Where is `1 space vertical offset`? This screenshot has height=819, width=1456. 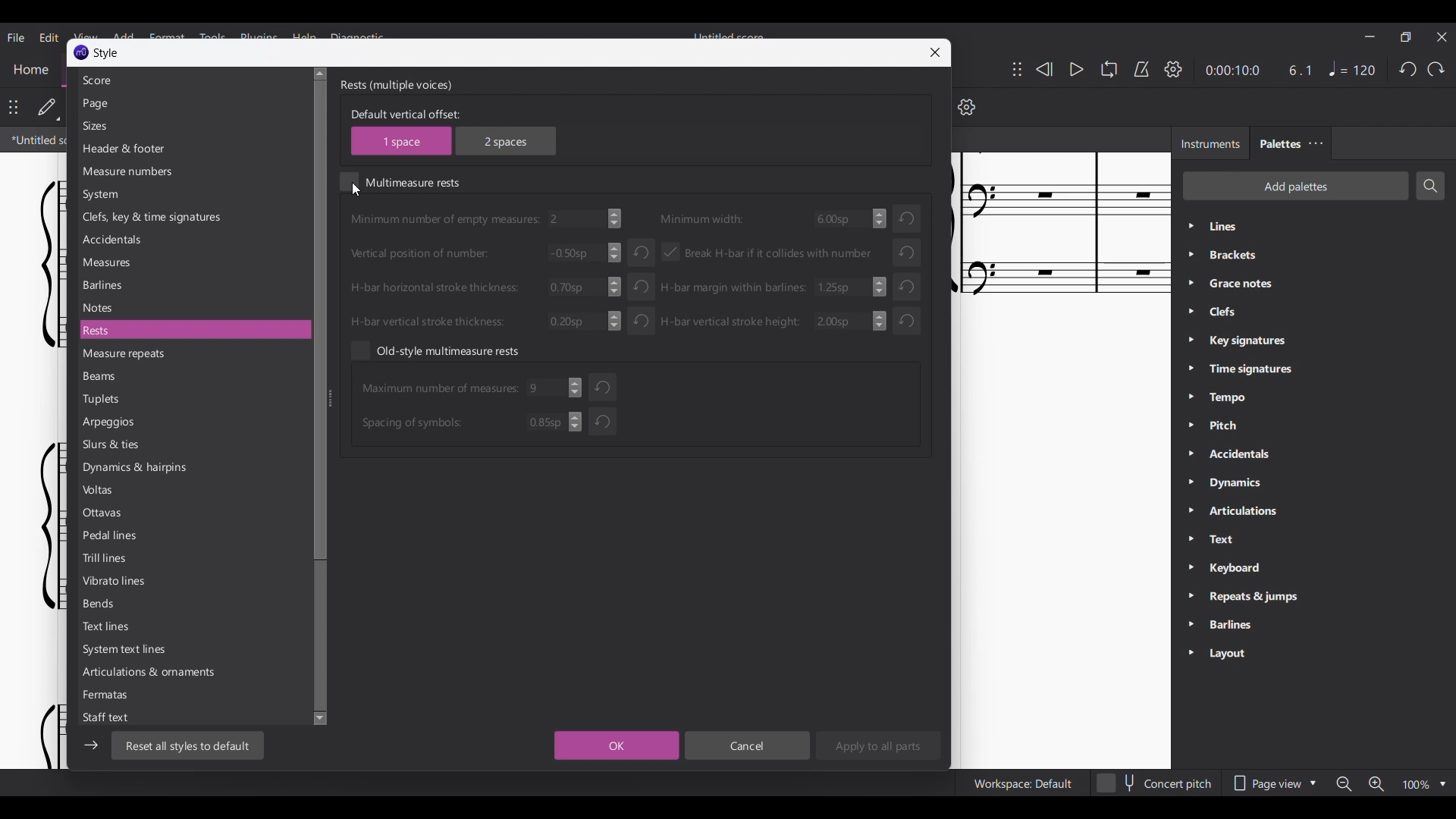
1 space vertical offset is located at coordinates (402, 140).